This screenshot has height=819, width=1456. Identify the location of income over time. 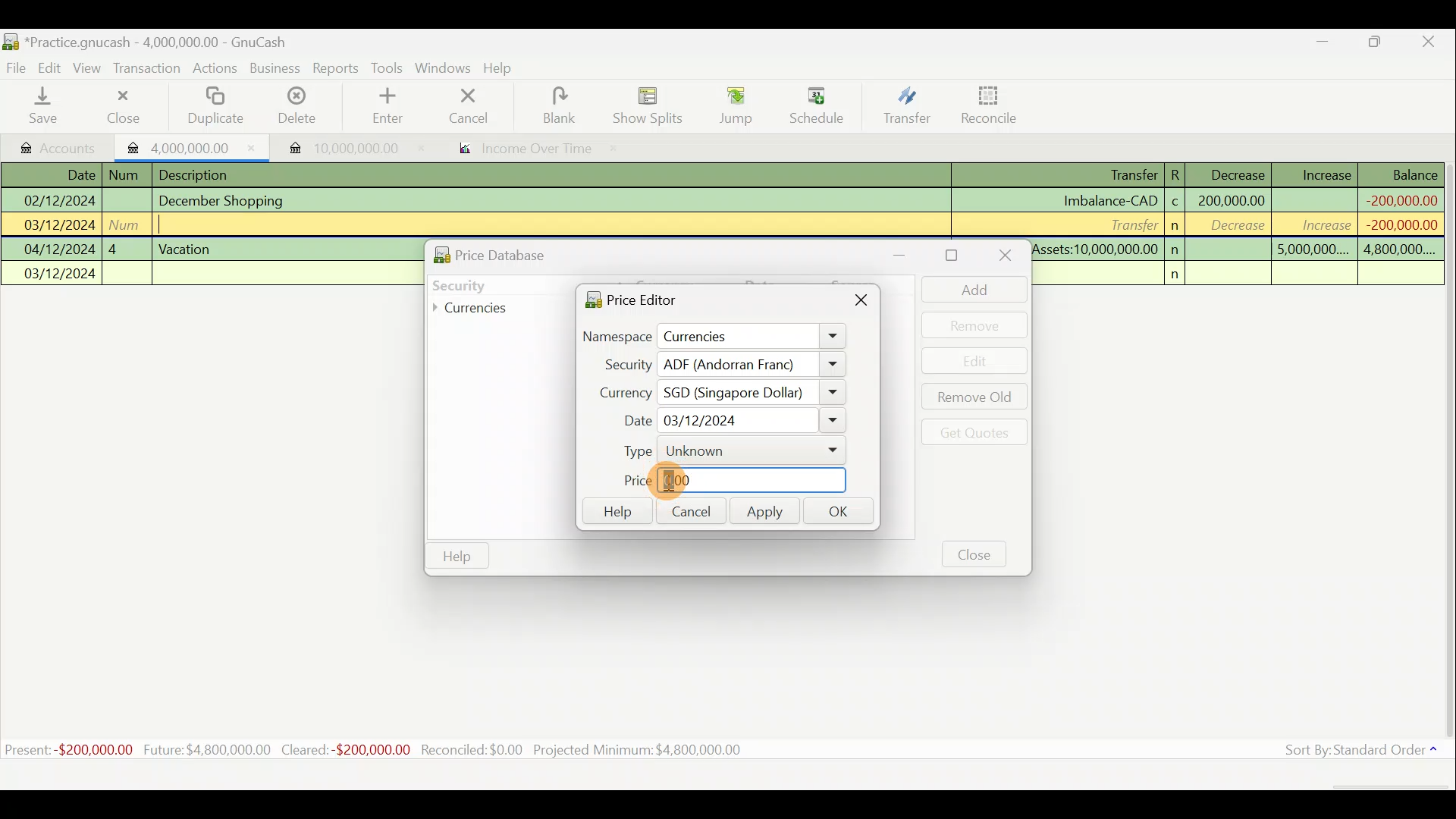
(536, 149).